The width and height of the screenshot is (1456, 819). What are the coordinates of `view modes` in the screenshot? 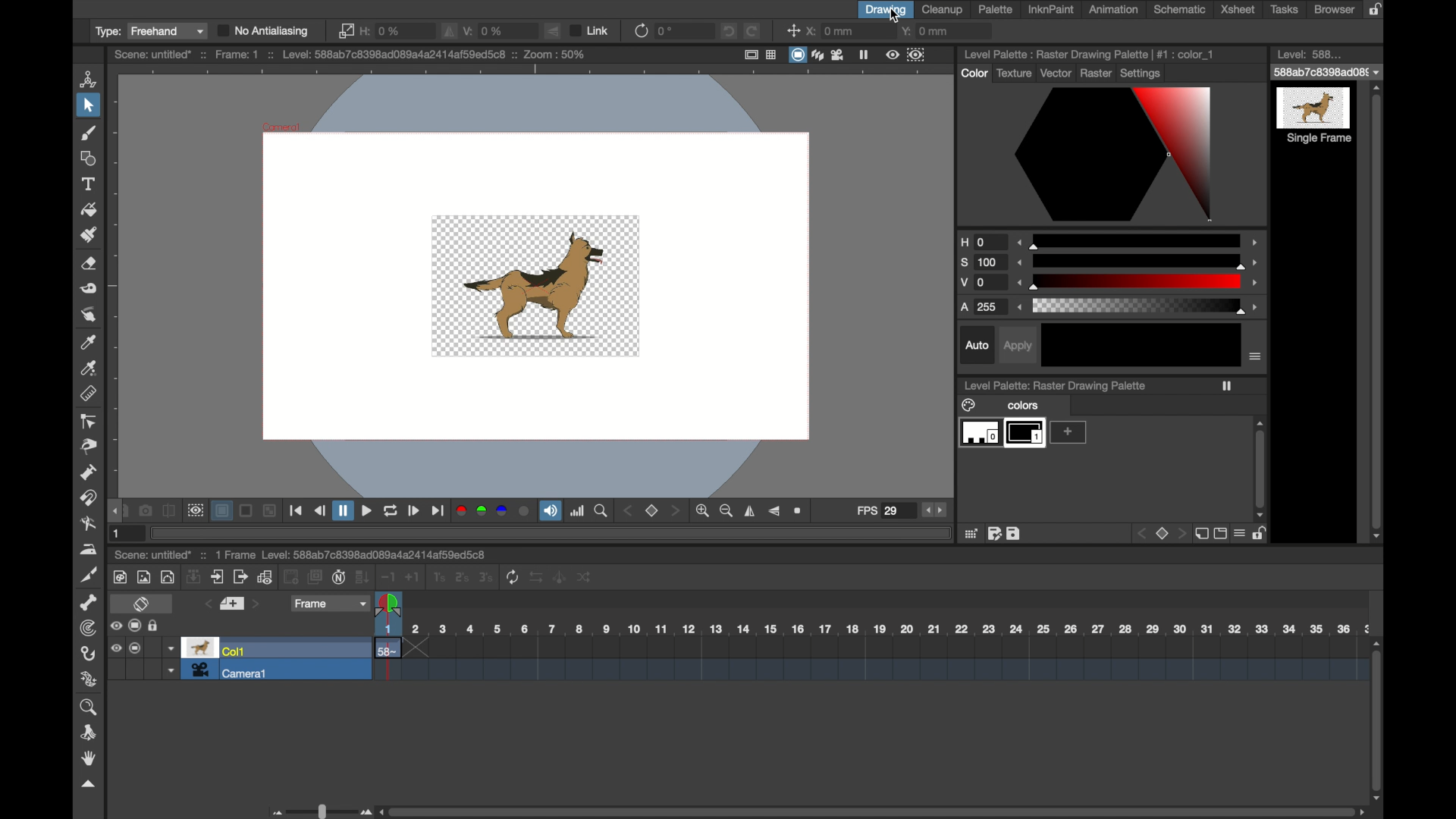 It's located at (816, 55).